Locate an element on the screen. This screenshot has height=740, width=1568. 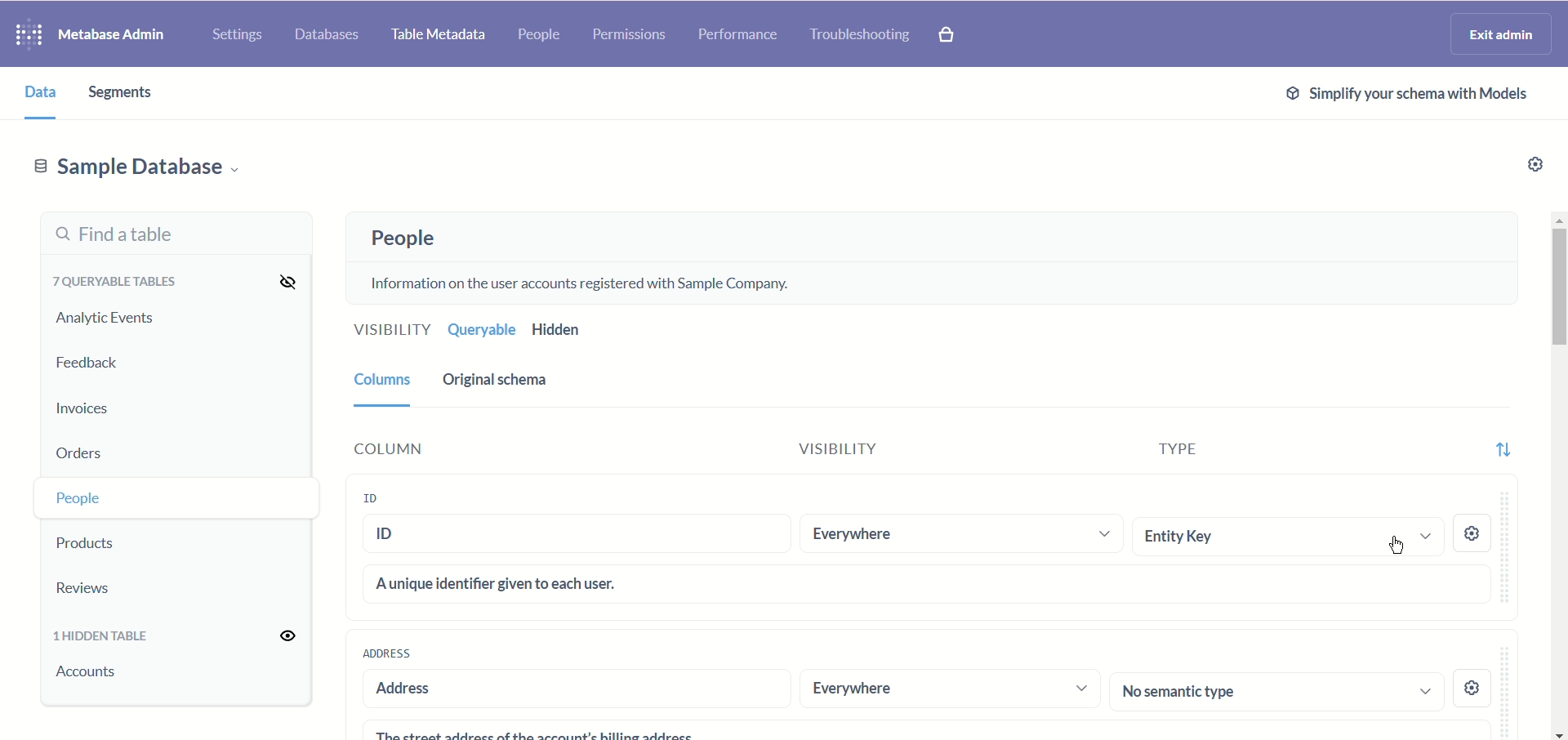
Accounts is located at coordinates (91, 681).